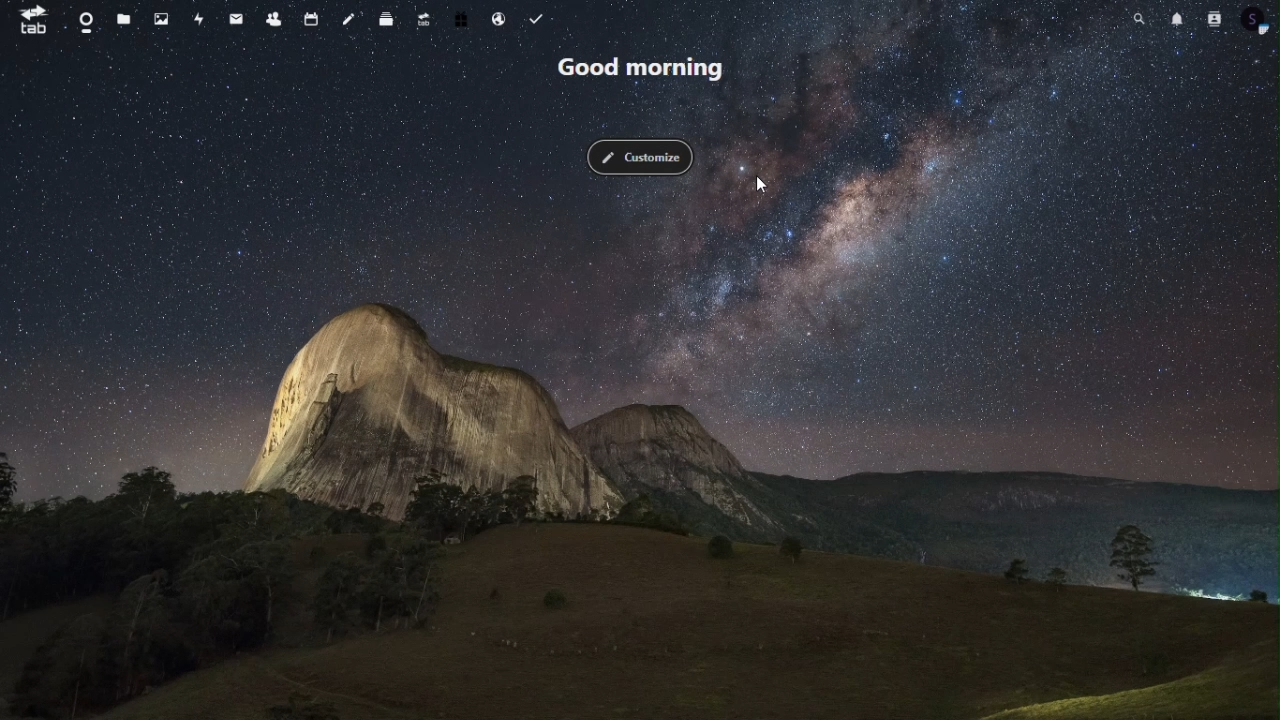 The image size is (1280, 720). I want to click on customize, so click(640, 158).